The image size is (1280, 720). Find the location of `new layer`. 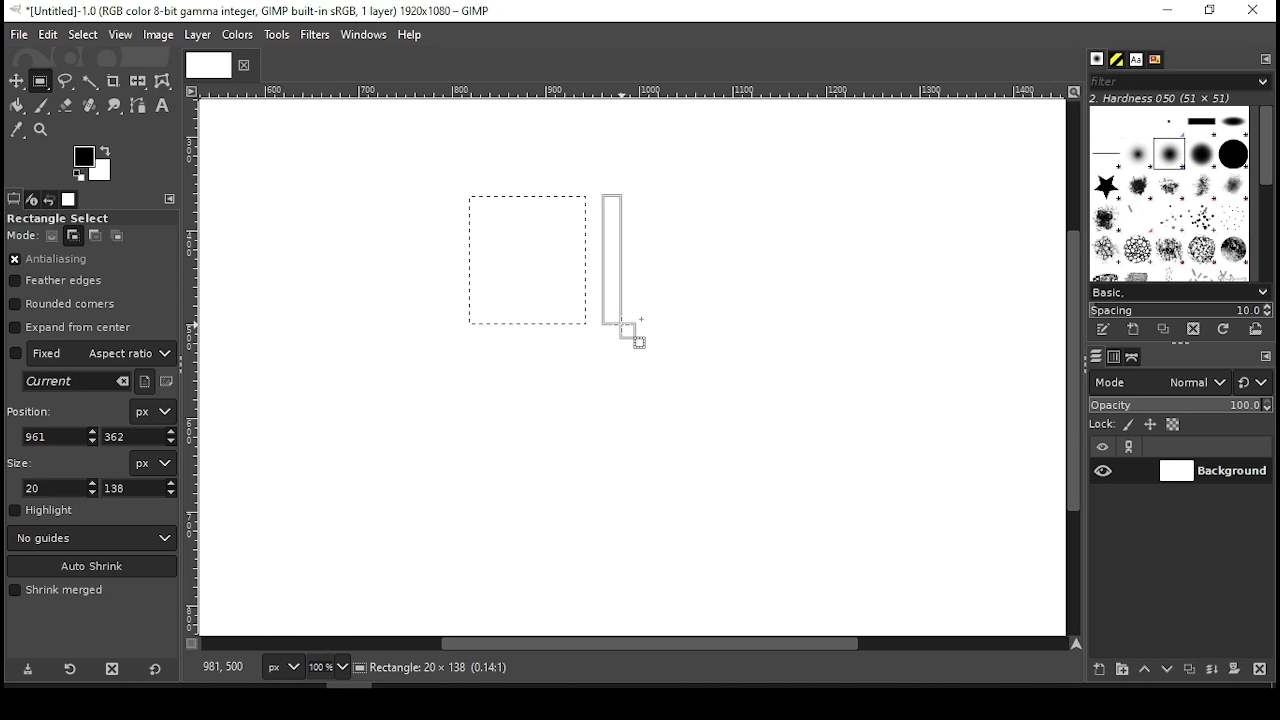

new layer is located at coordinates (1095, 667).